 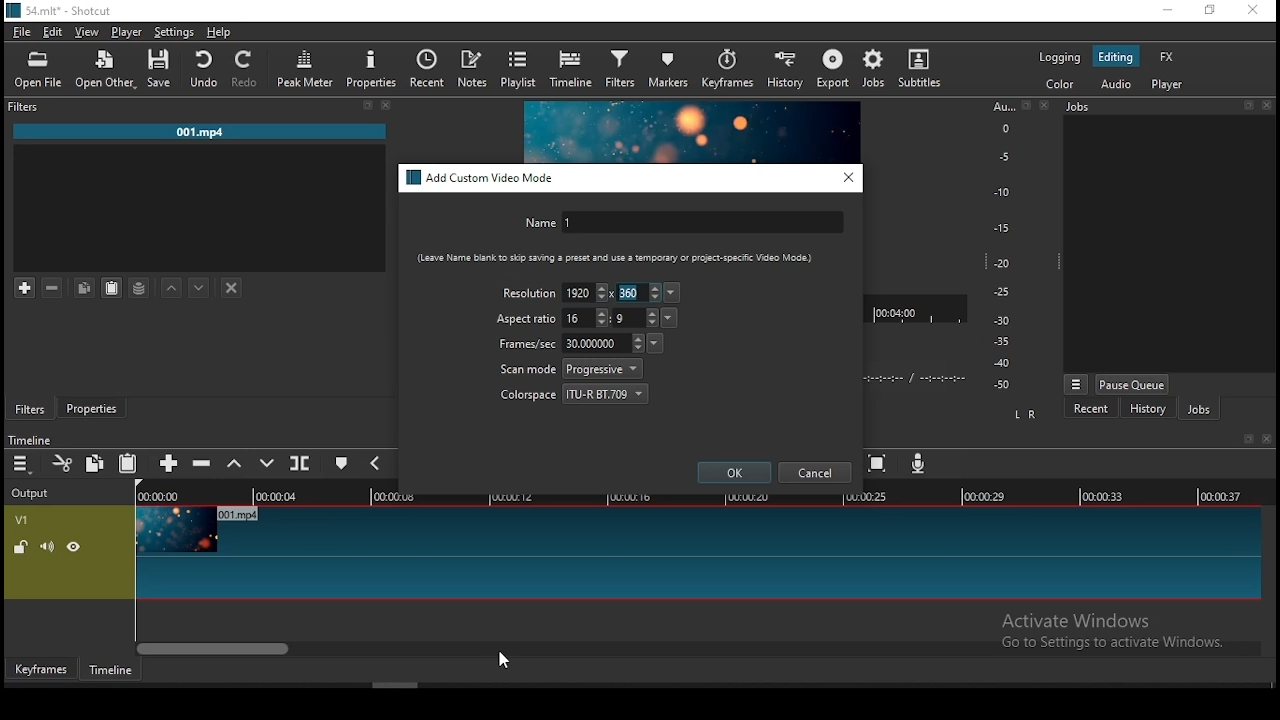 What do you see at coordinates (781, 71) in the screenshot?
I see `history` at bounding box center [781, 71].